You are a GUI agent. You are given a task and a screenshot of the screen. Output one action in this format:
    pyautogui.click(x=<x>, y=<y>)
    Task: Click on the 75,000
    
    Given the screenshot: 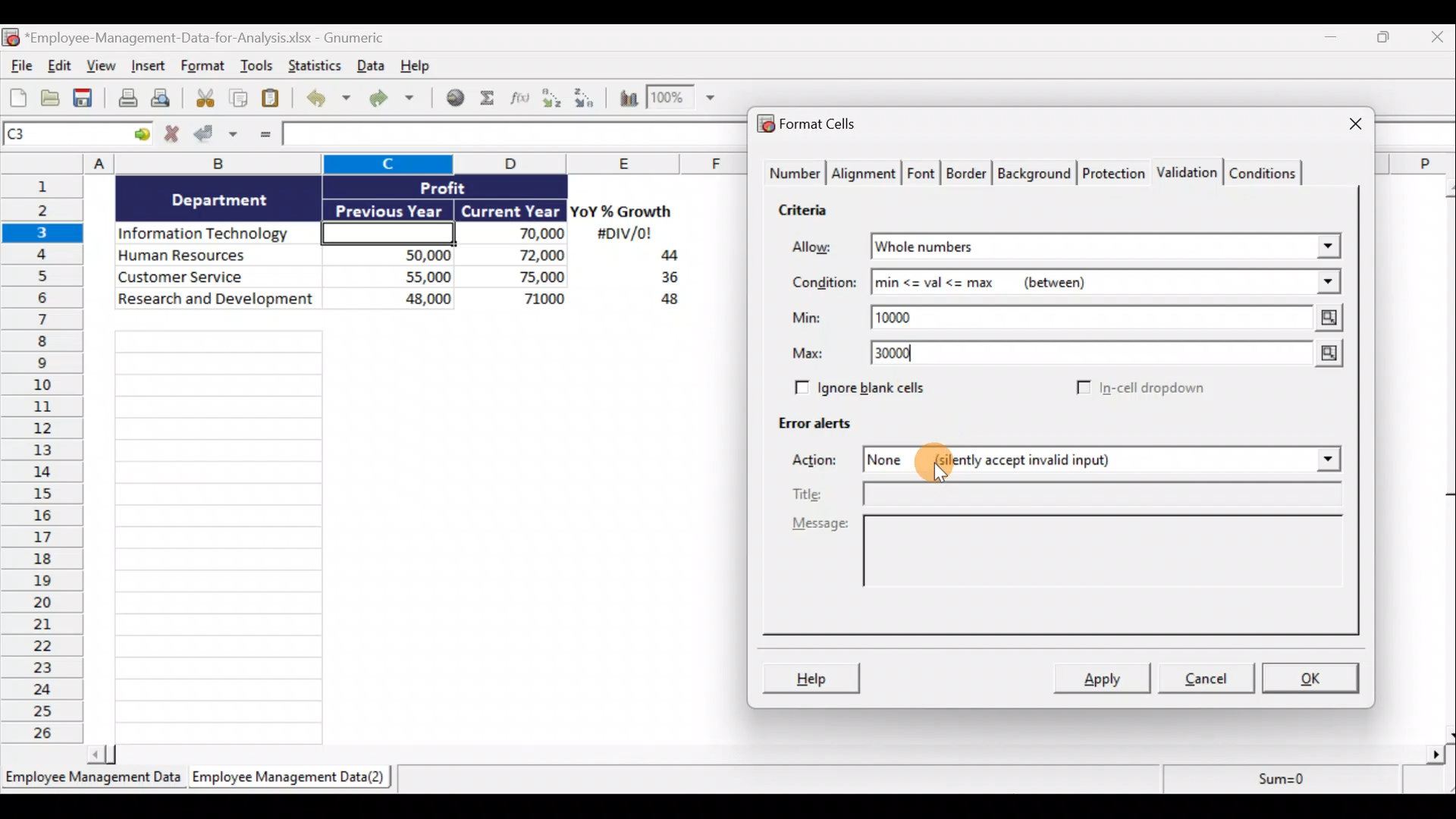 What is the action you would take?
    pyautogui.click(x=519, y=278)
    